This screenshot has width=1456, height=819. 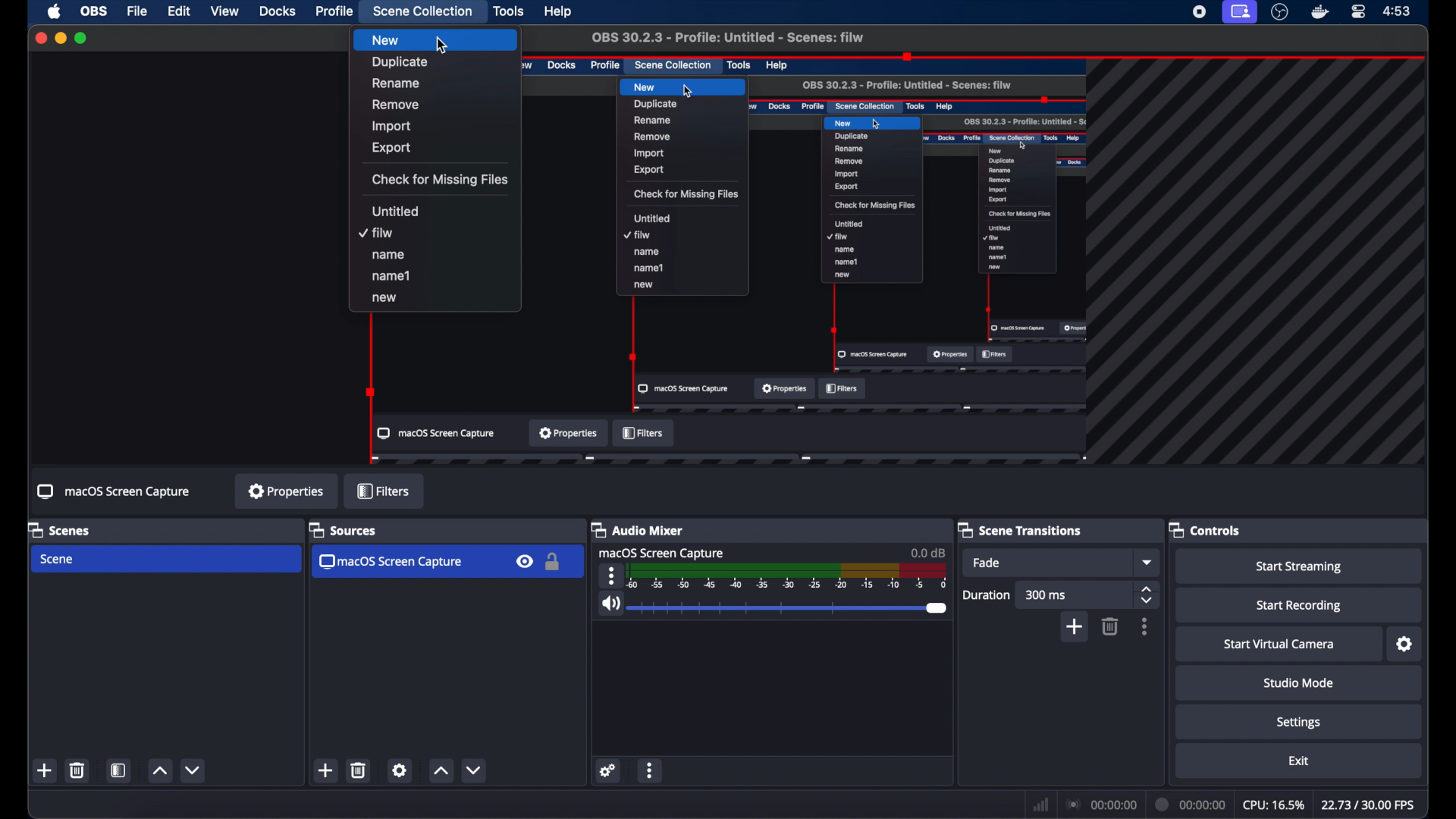 What do you see at coordinates (391, 125) in the screenshot?
I see `import` at bounding box center [391, 125].